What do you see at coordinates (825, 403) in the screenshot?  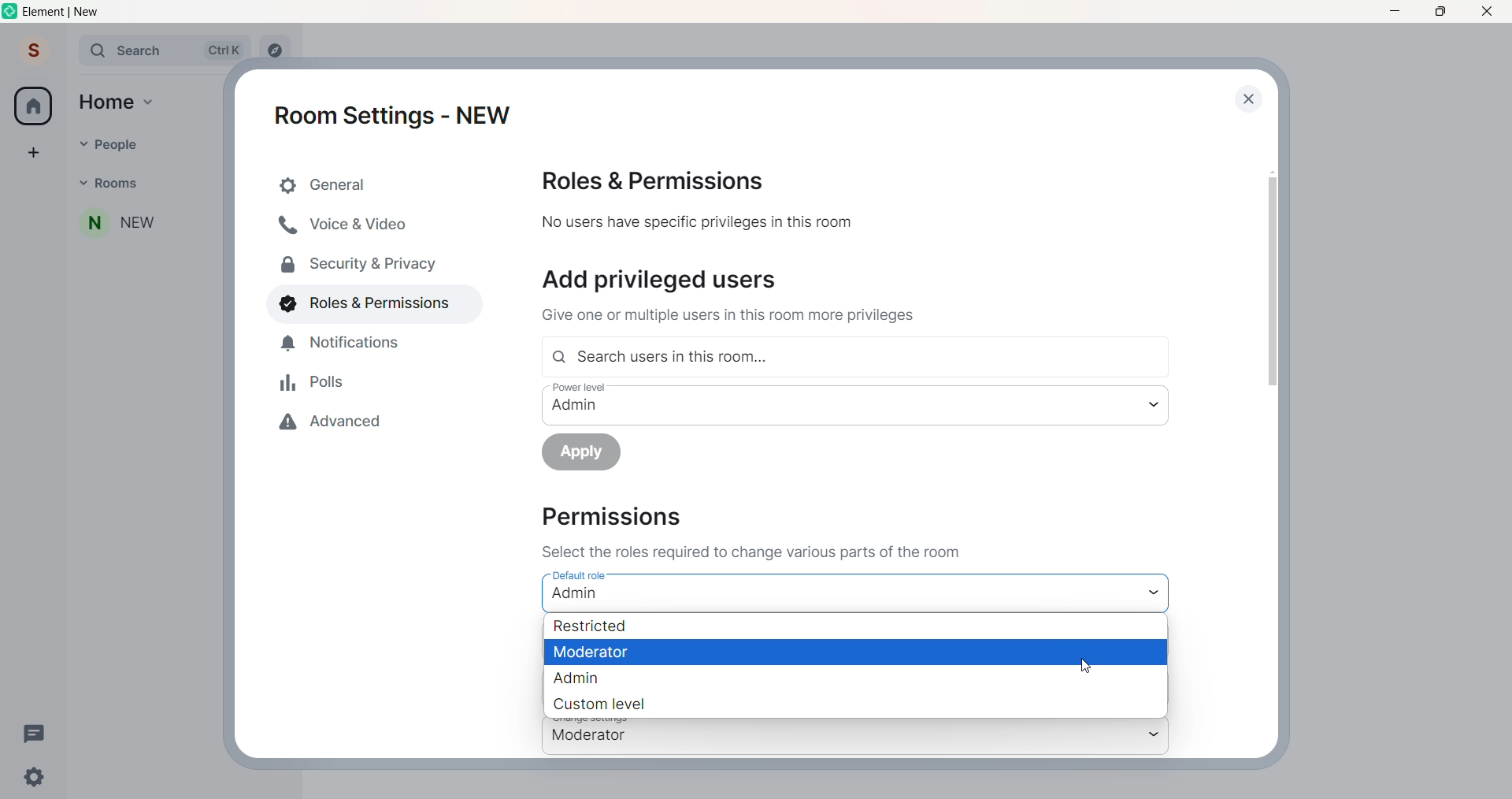 I see `power level` at bounding box center [825, 403].